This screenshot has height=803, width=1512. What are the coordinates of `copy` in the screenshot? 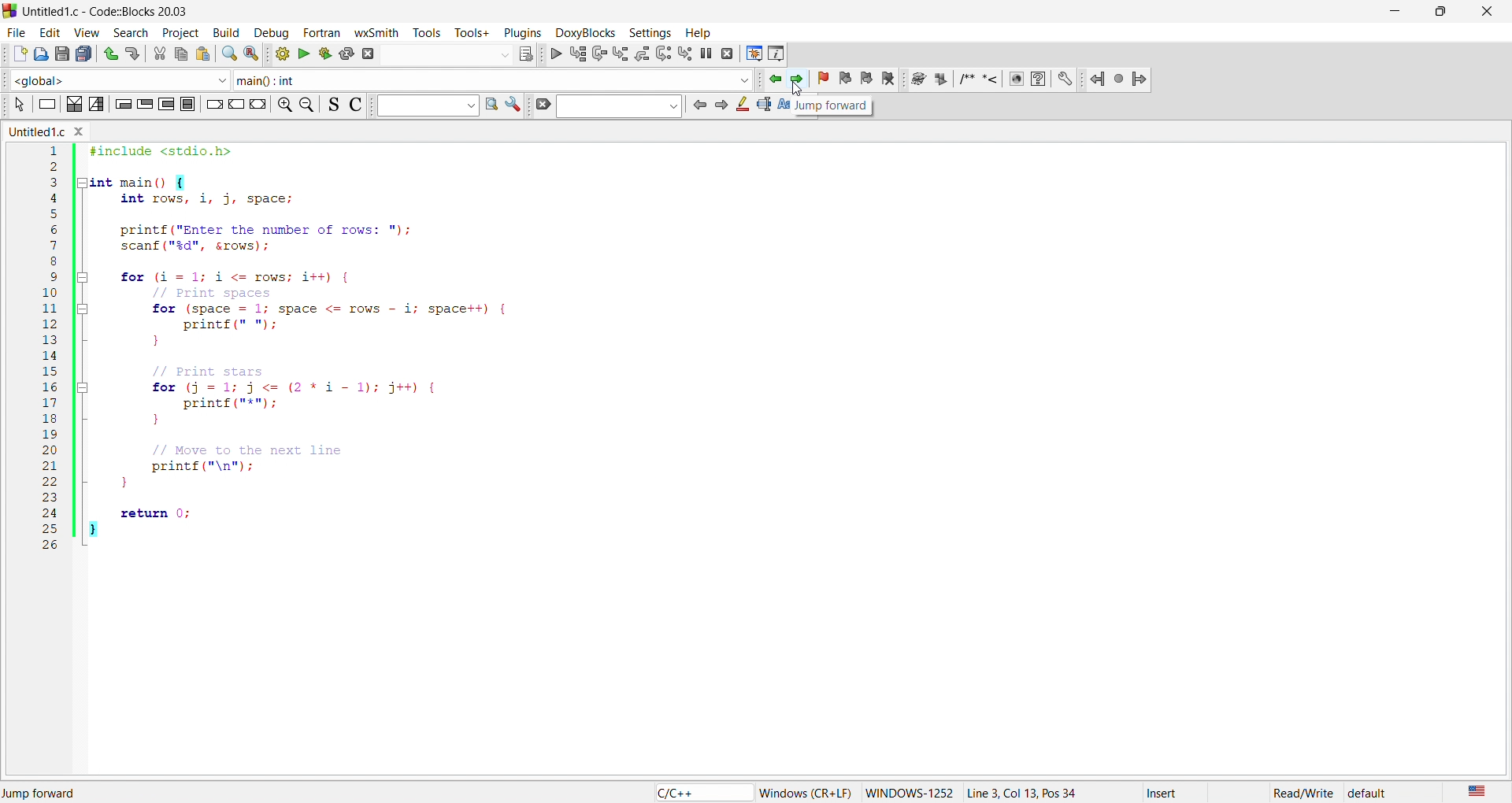 It's located at (177, 55).